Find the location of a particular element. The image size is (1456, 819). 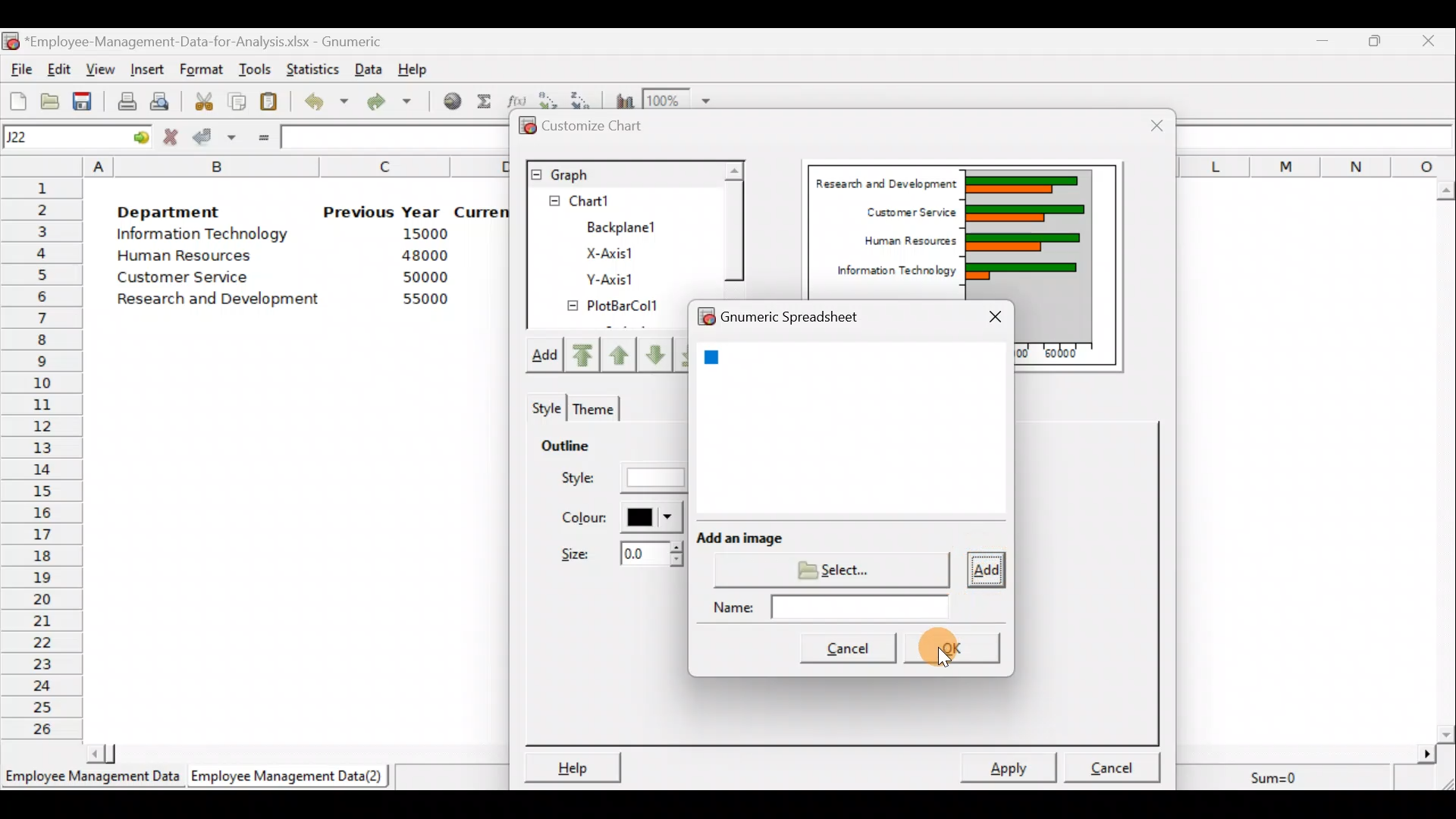

Print current file is located at coordinates (124, 99).